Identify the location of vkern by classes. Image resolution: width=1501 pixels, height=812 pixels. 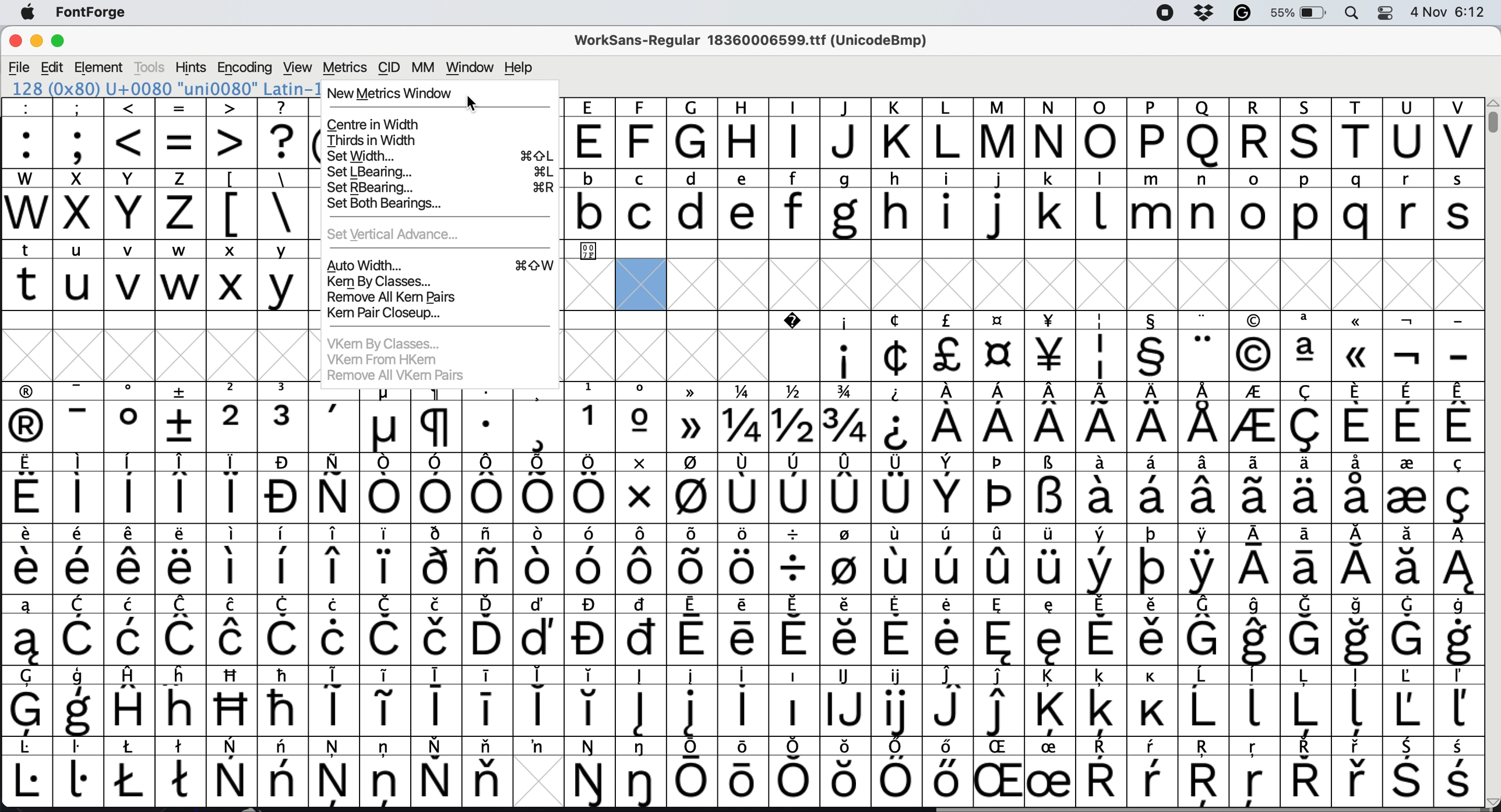
(389, 342).